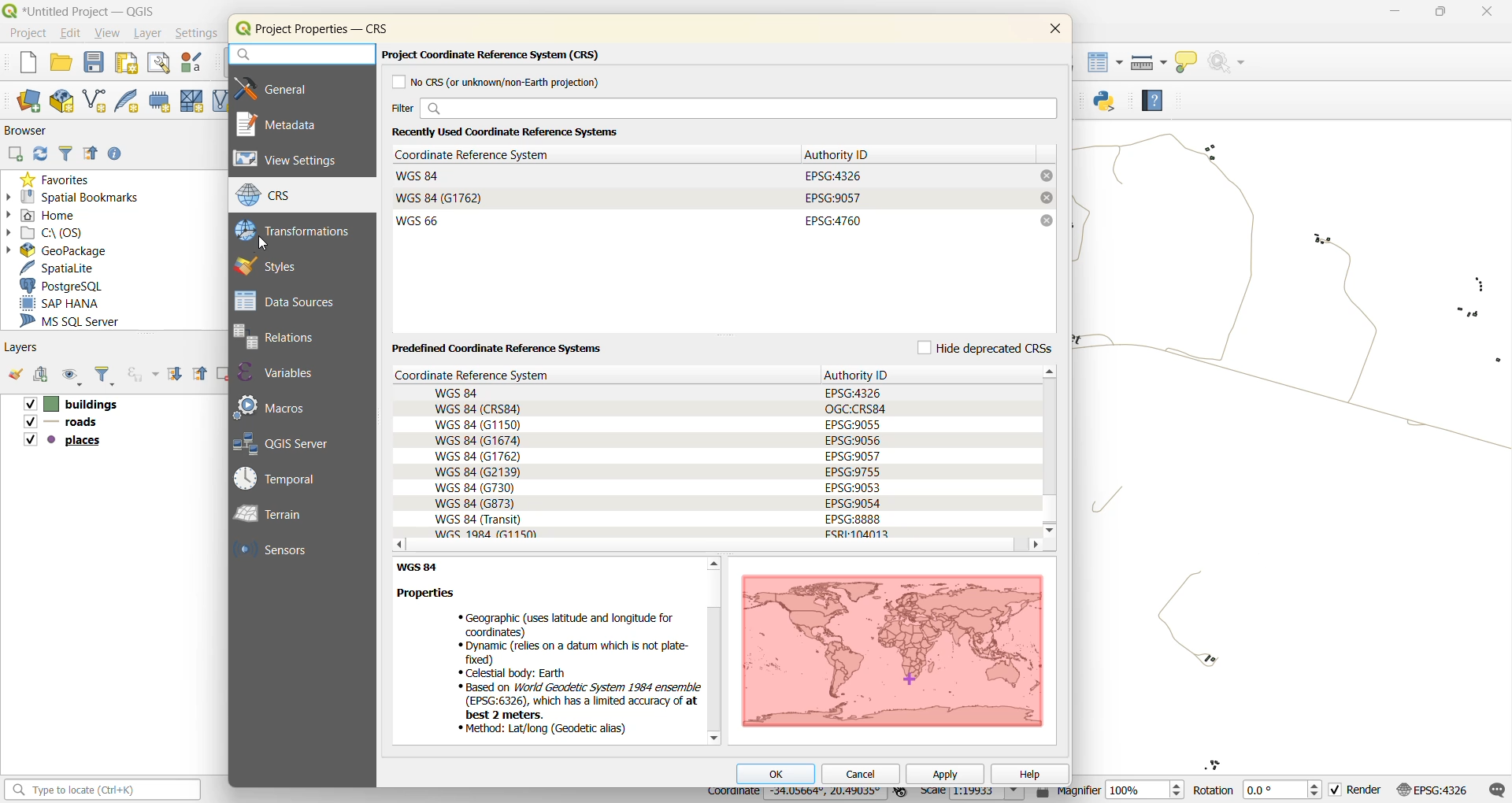 The image size is (1512, 803). I want to click on enable properties, so click(117, 154).